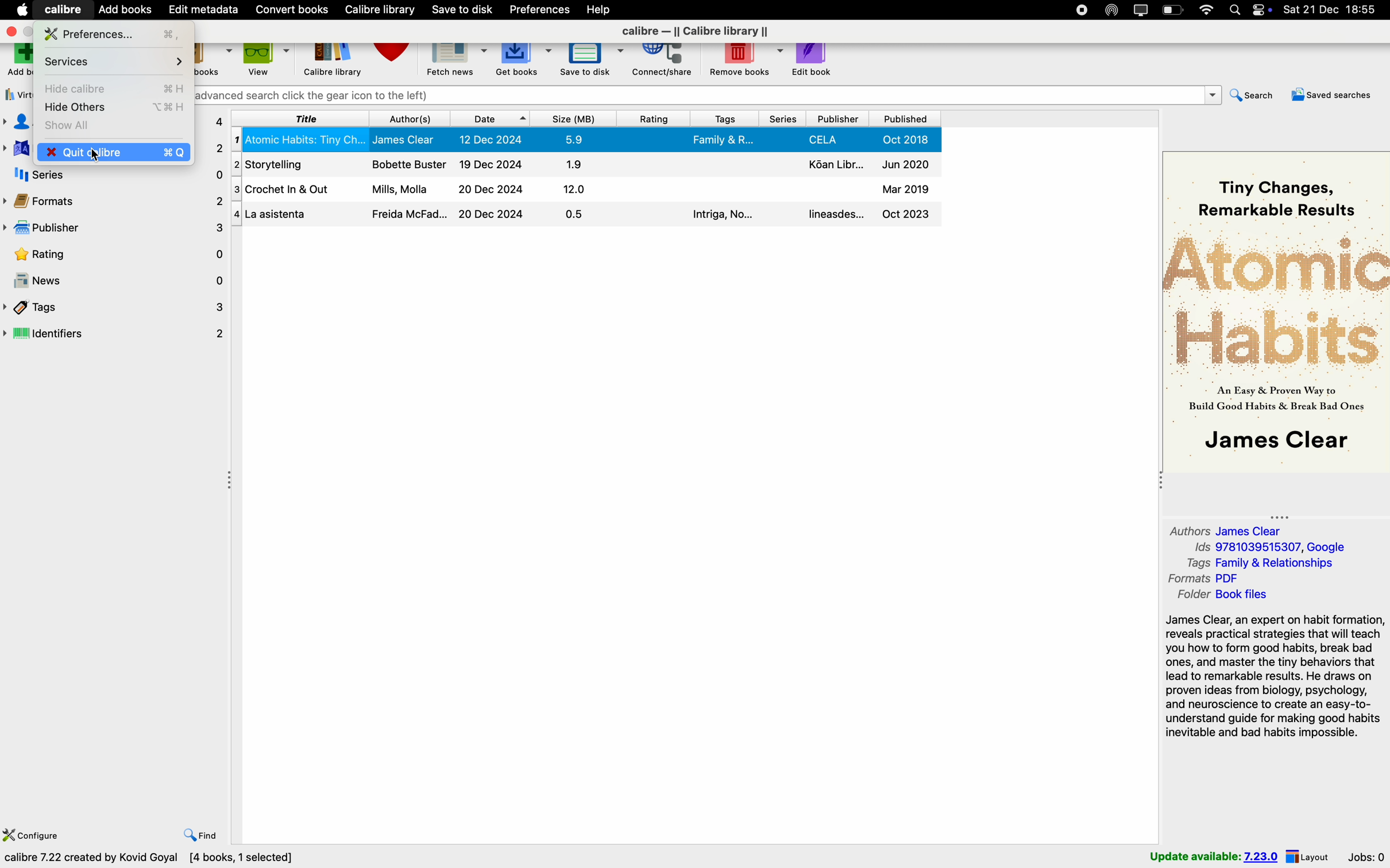  Describe the element at coordinates (200, 835) in the screenshot. I see `find` at that location.